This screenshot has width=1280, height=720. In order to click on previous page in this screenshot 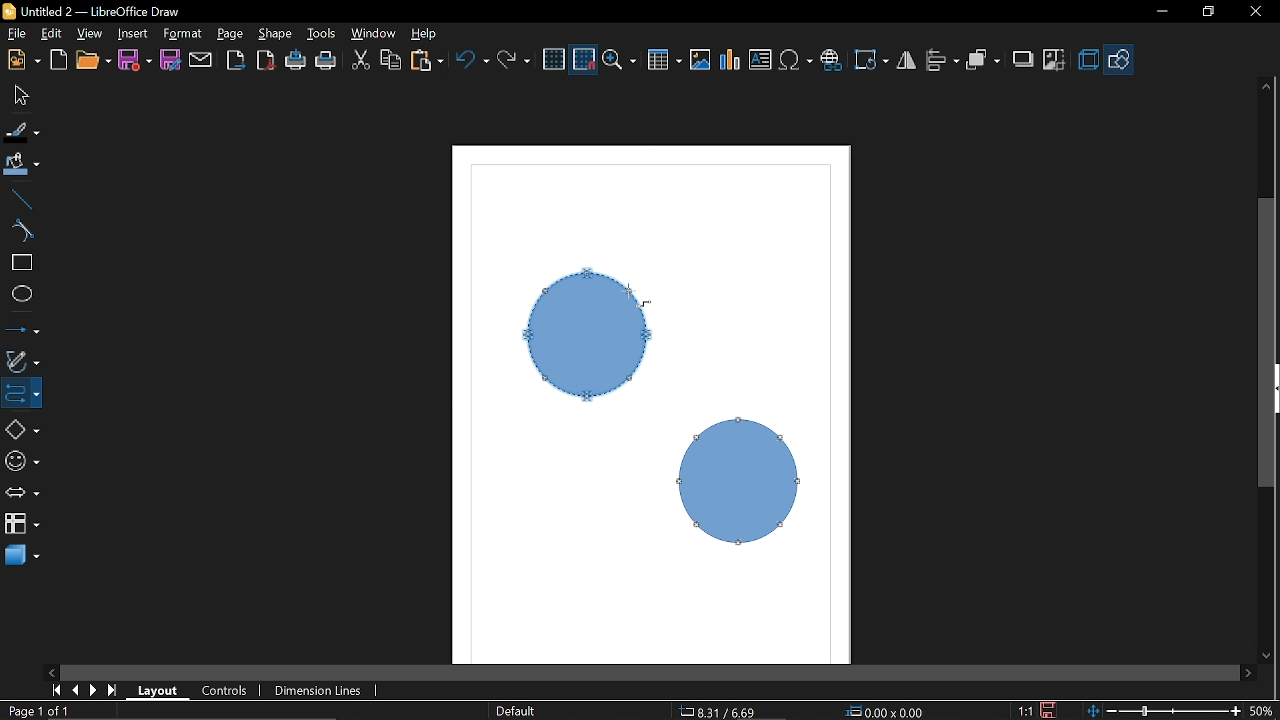, I will do `click(72, 691)`.